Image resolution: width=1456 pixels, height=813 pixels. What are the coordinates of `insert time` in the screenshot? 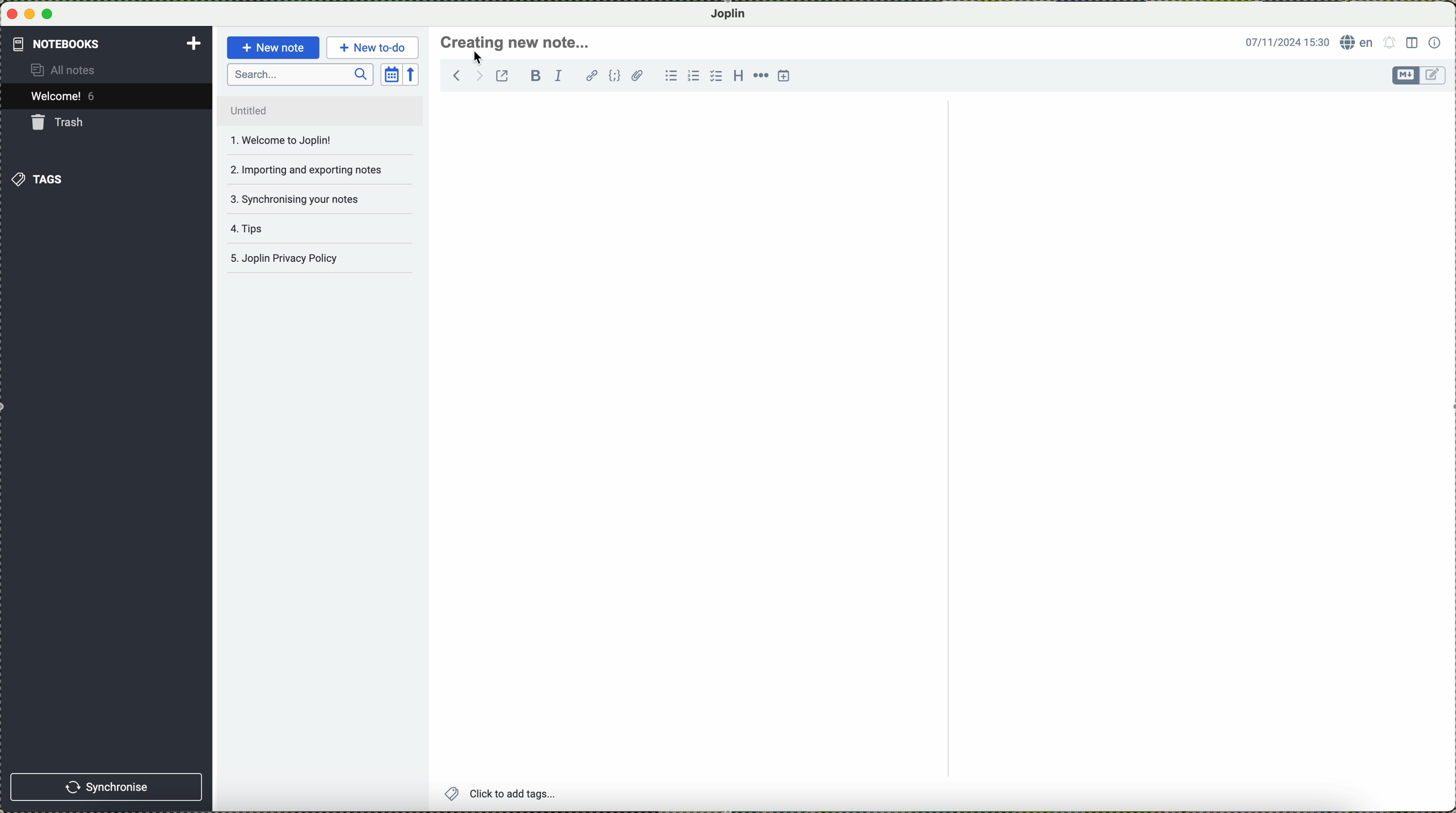 It's located at (785, 77).